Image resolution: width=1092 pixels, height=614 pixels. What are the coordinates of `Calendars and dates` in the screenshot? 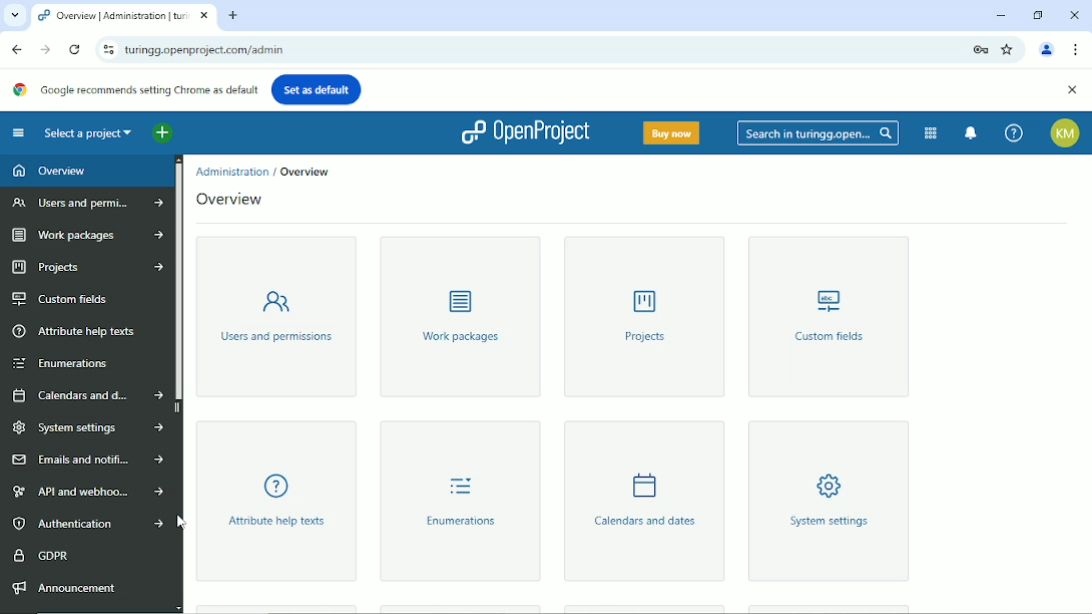 It's located at (643, 501).